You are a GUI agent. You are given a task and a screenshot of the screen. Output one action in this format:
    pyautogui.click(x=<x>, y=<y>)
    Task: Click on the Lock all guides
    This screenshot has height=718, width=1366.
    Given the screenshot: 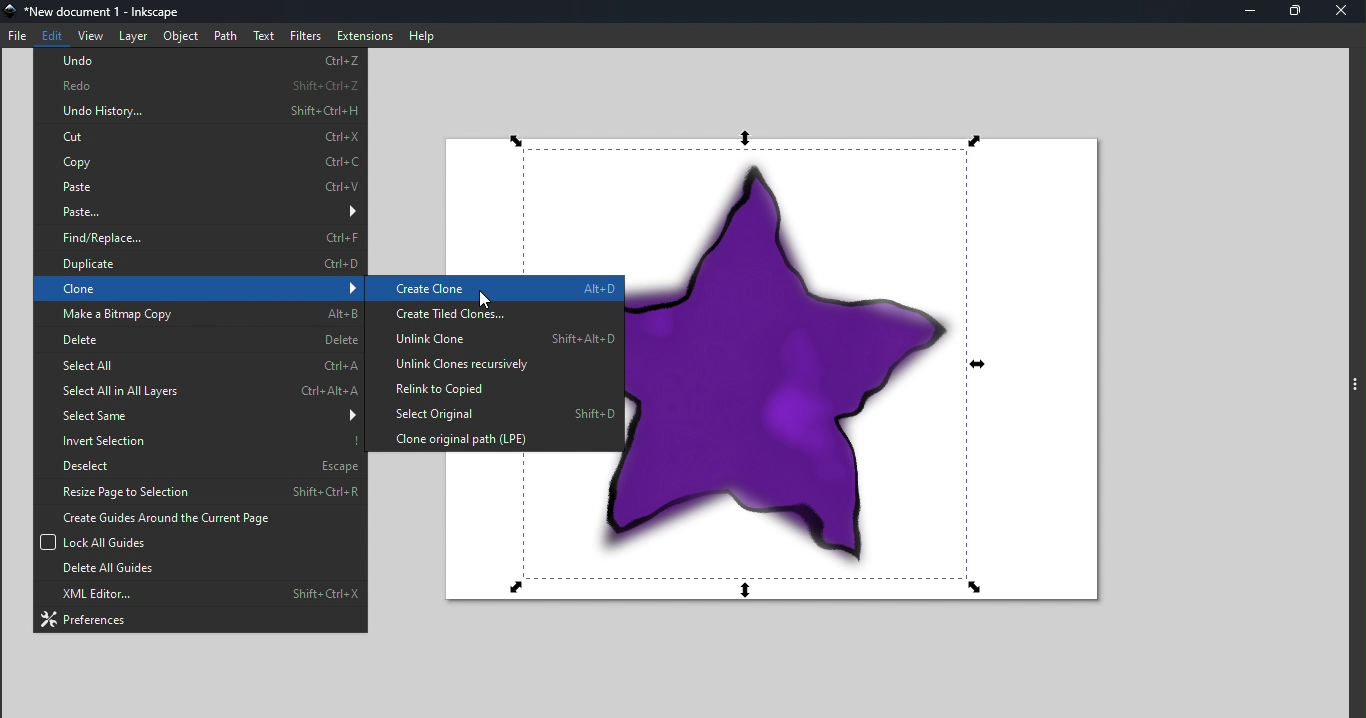 What is the action you would take?
    pyautogui.click(x=196, y=542)
    